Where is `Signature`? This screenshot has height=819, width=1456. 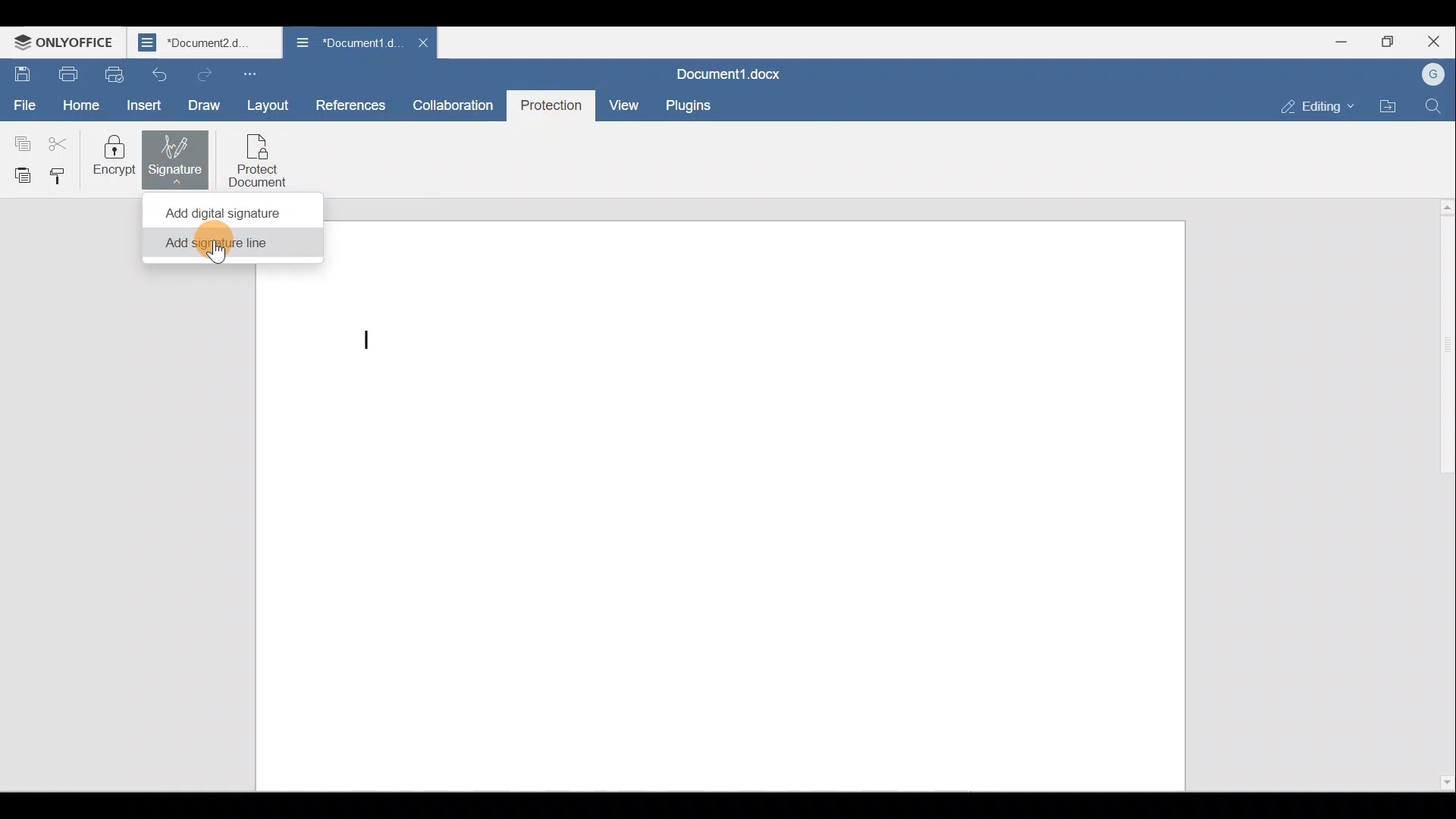 Signature is located at coordinates (179, 157).